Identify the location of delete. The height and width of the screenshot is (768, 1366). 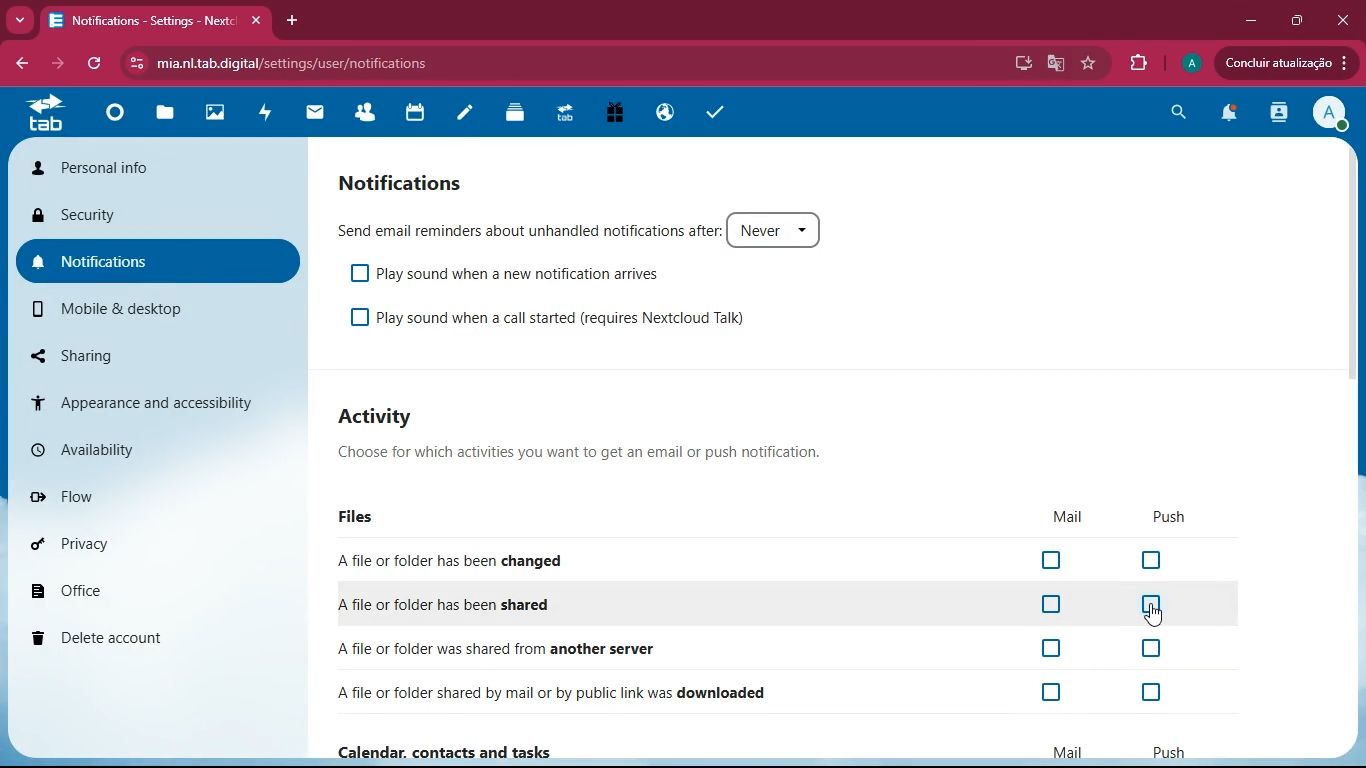
(144, 633).